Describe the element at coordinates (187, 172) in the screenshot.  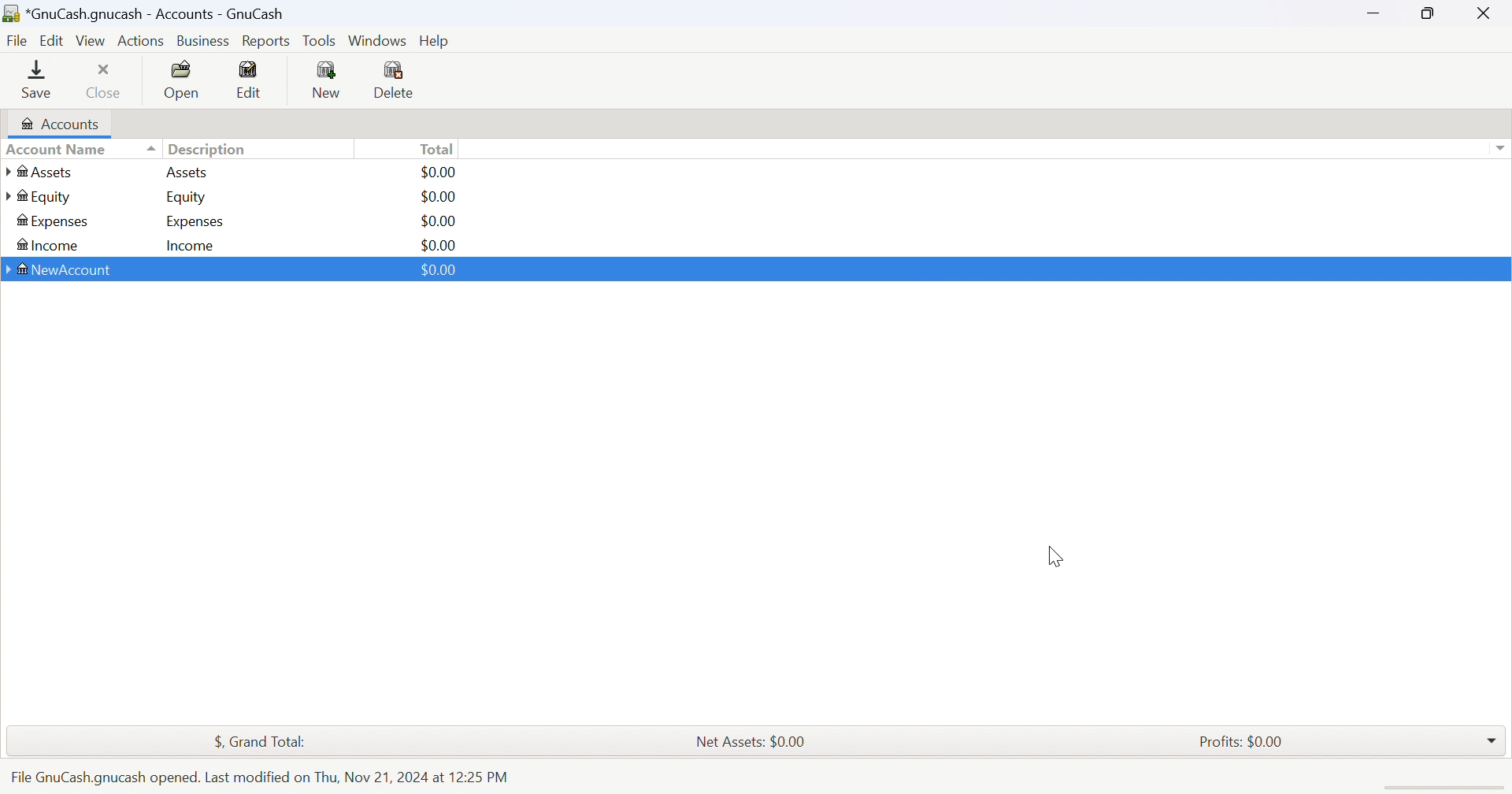
I see `Assets` at that location.